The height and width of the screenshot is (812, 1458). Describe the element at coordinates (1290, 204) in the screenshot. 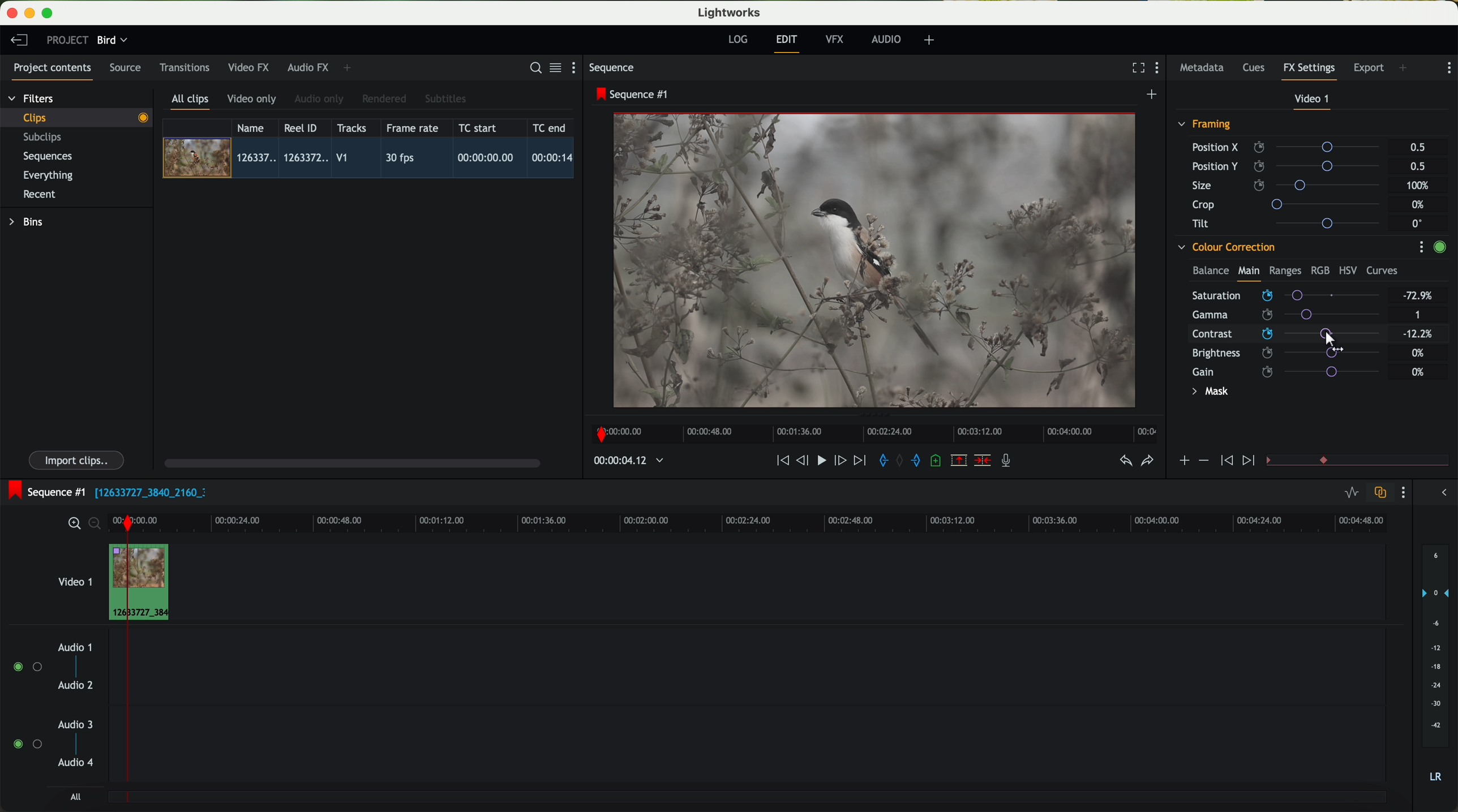

I see `crop` at that location.